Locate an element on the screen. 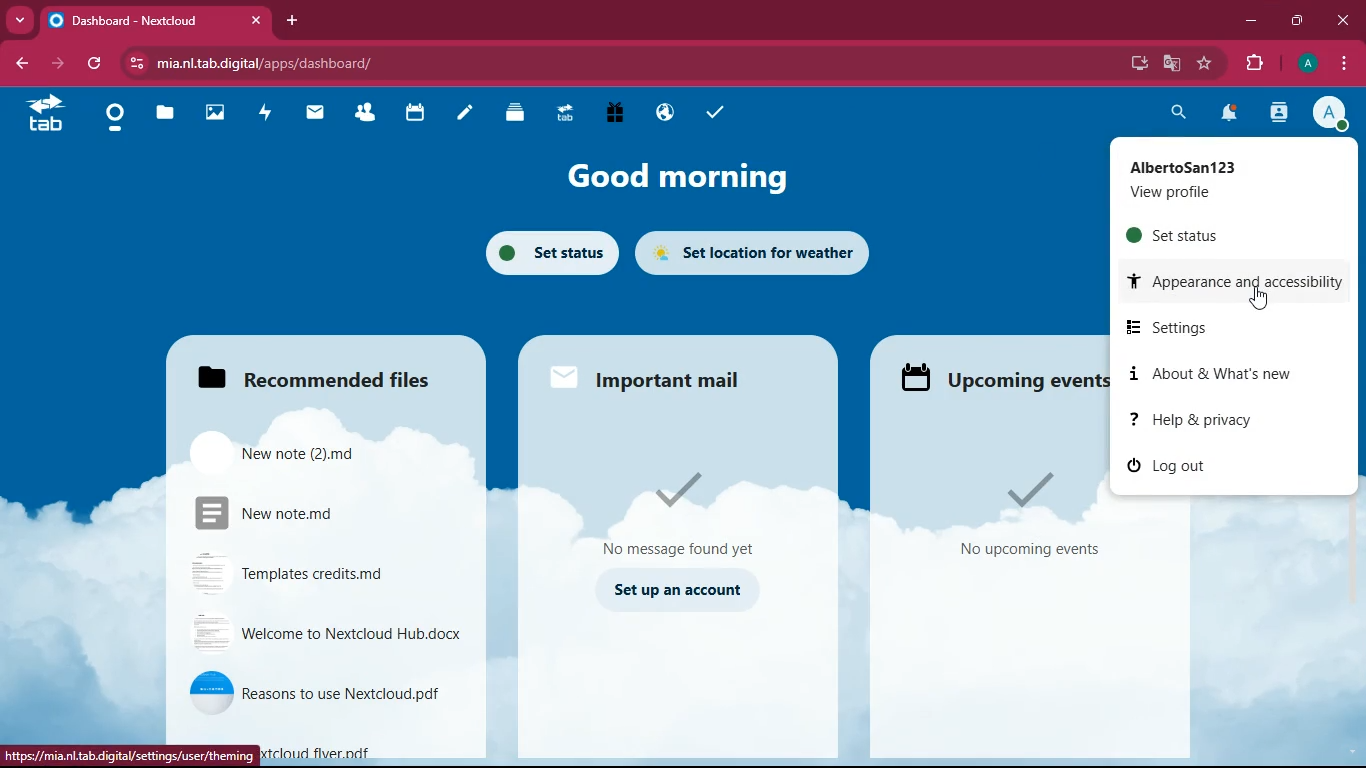  public is located at coordinates (662, 114).